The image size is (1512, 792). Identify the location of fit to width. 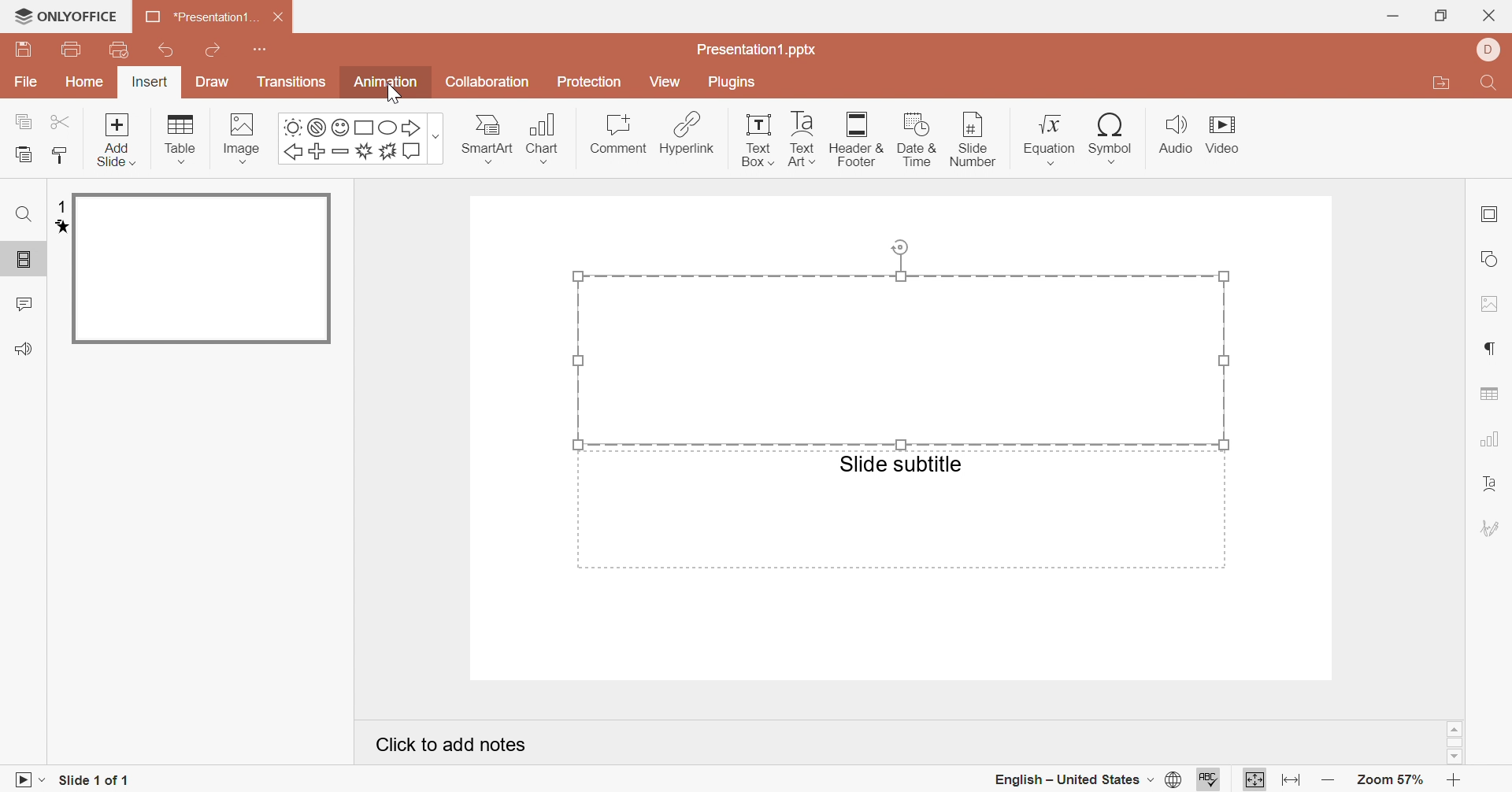
(1289, 781).